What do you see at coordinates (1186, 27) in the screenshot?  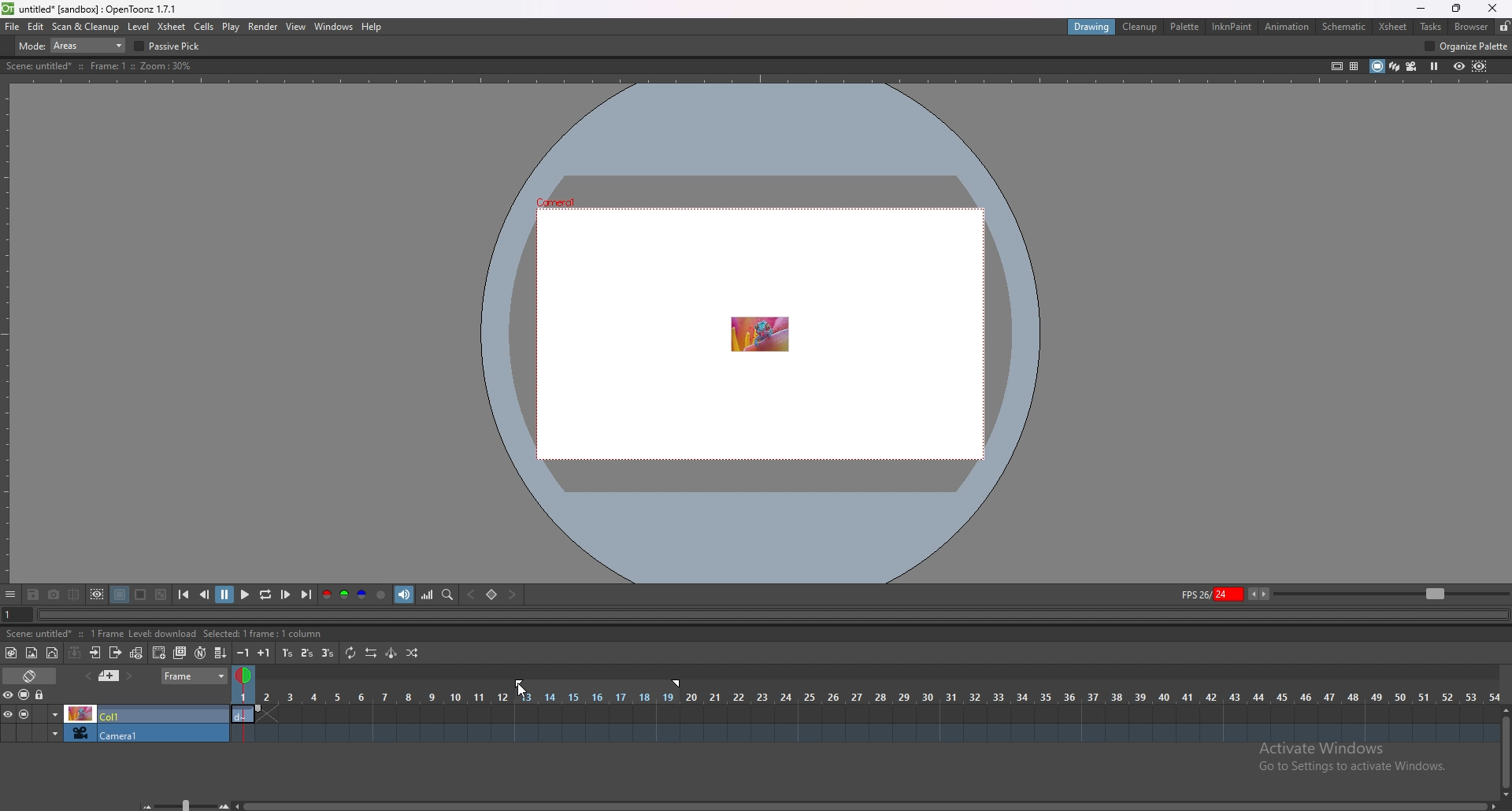 I see `palette` at bounding box center [1186, 27].